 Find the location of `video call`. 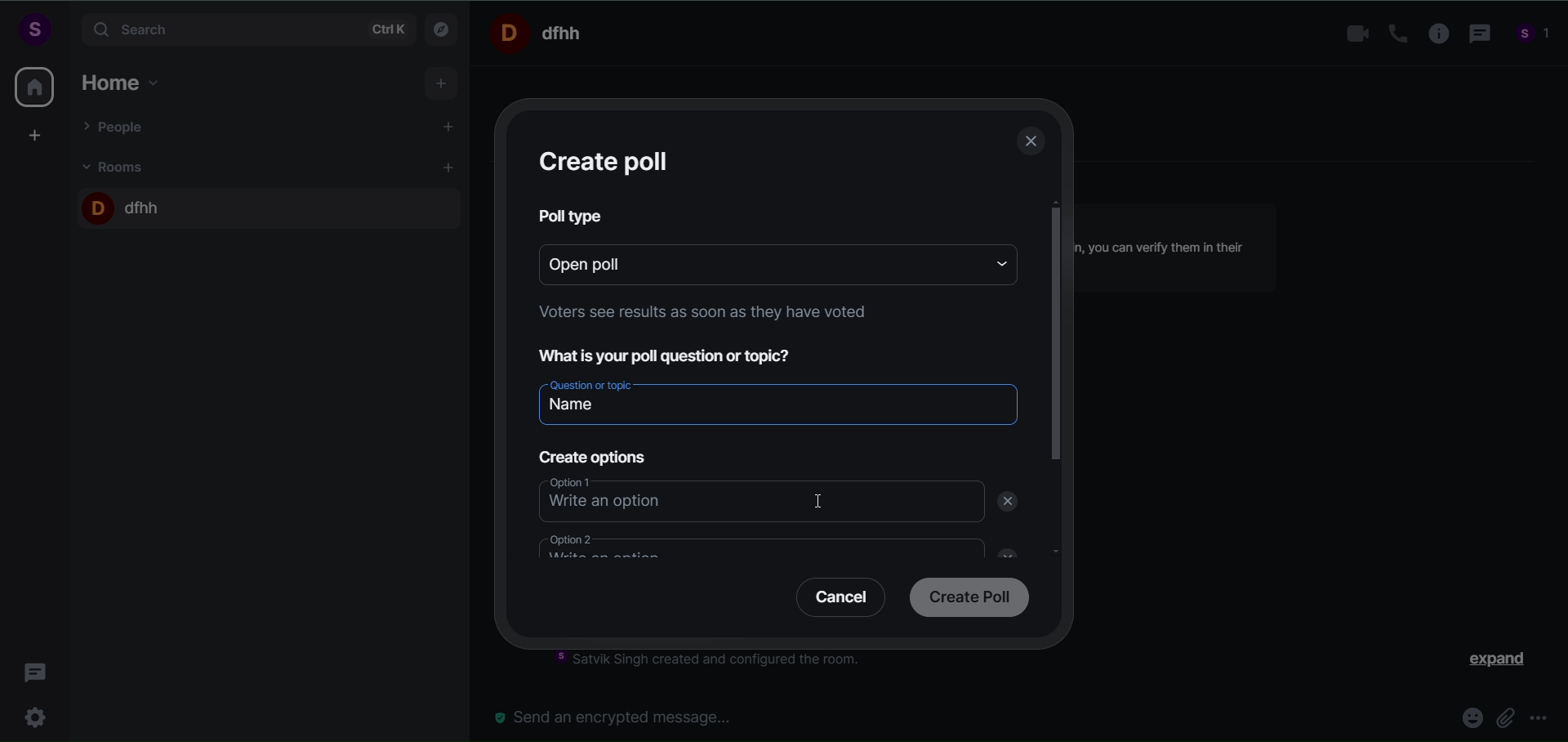

video call is located at coordinates (1353, 34).